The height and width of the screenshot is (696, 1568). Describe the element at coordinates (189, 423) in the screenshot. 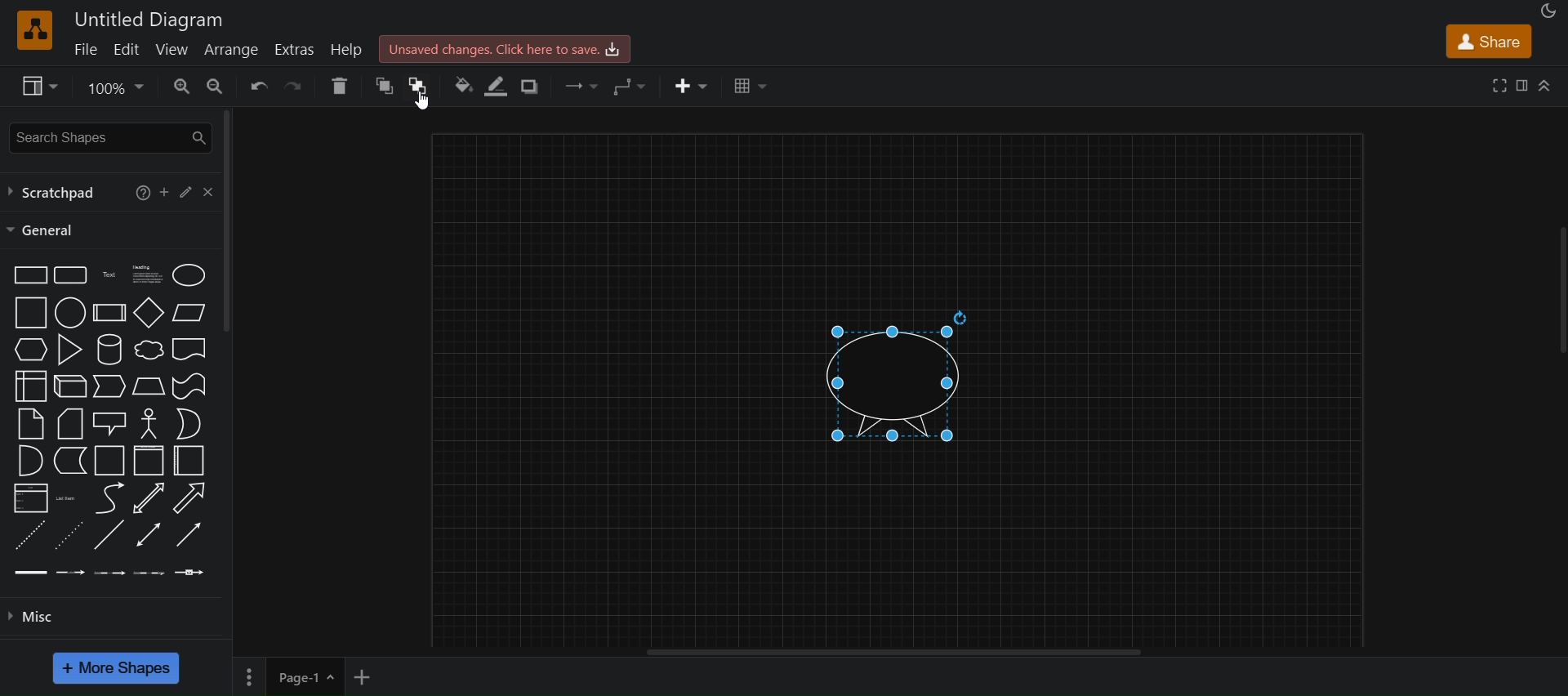

I see `or` at that location.